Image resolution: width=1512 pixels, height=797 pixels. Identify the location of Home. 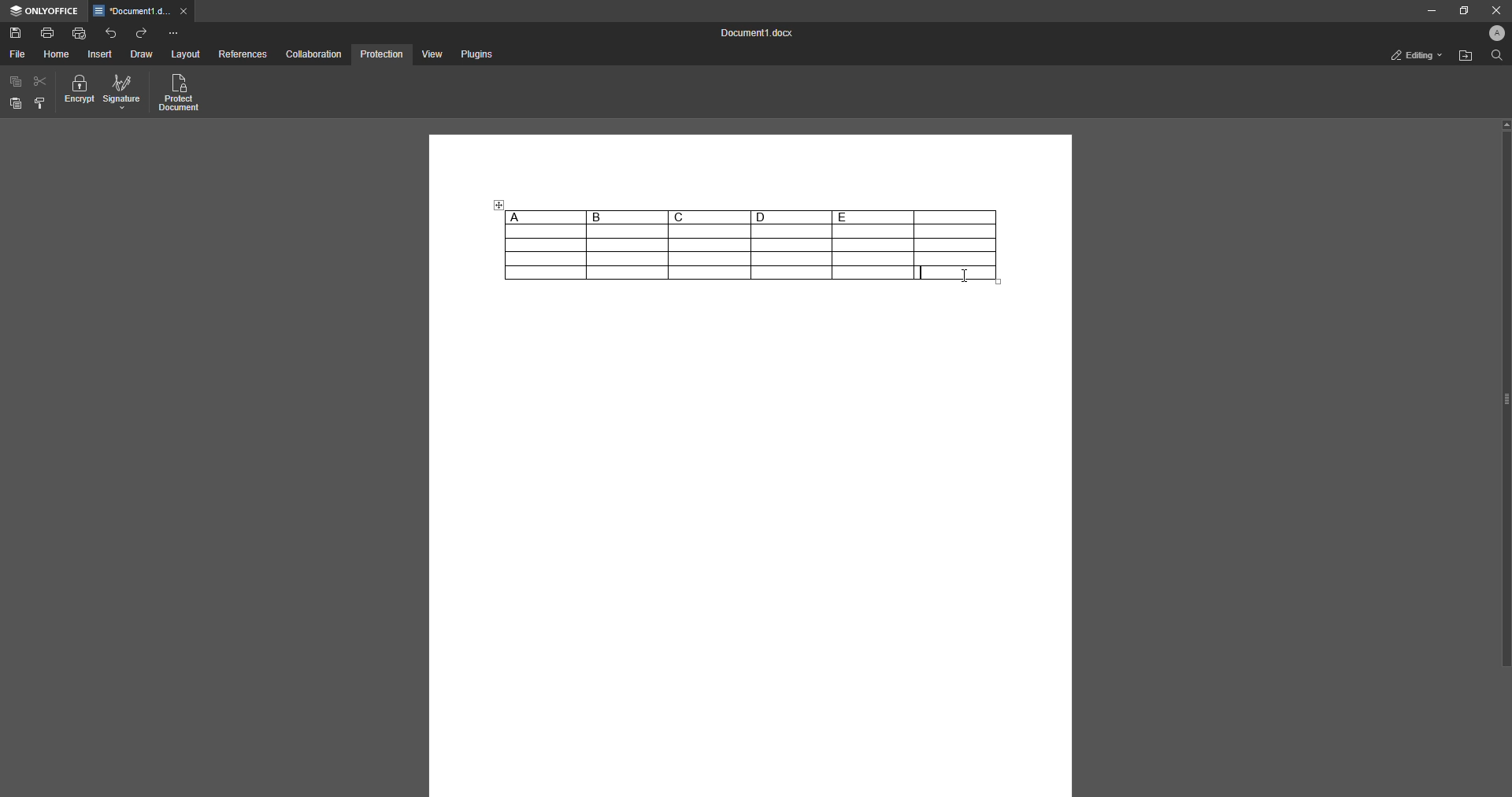
(57, 54).